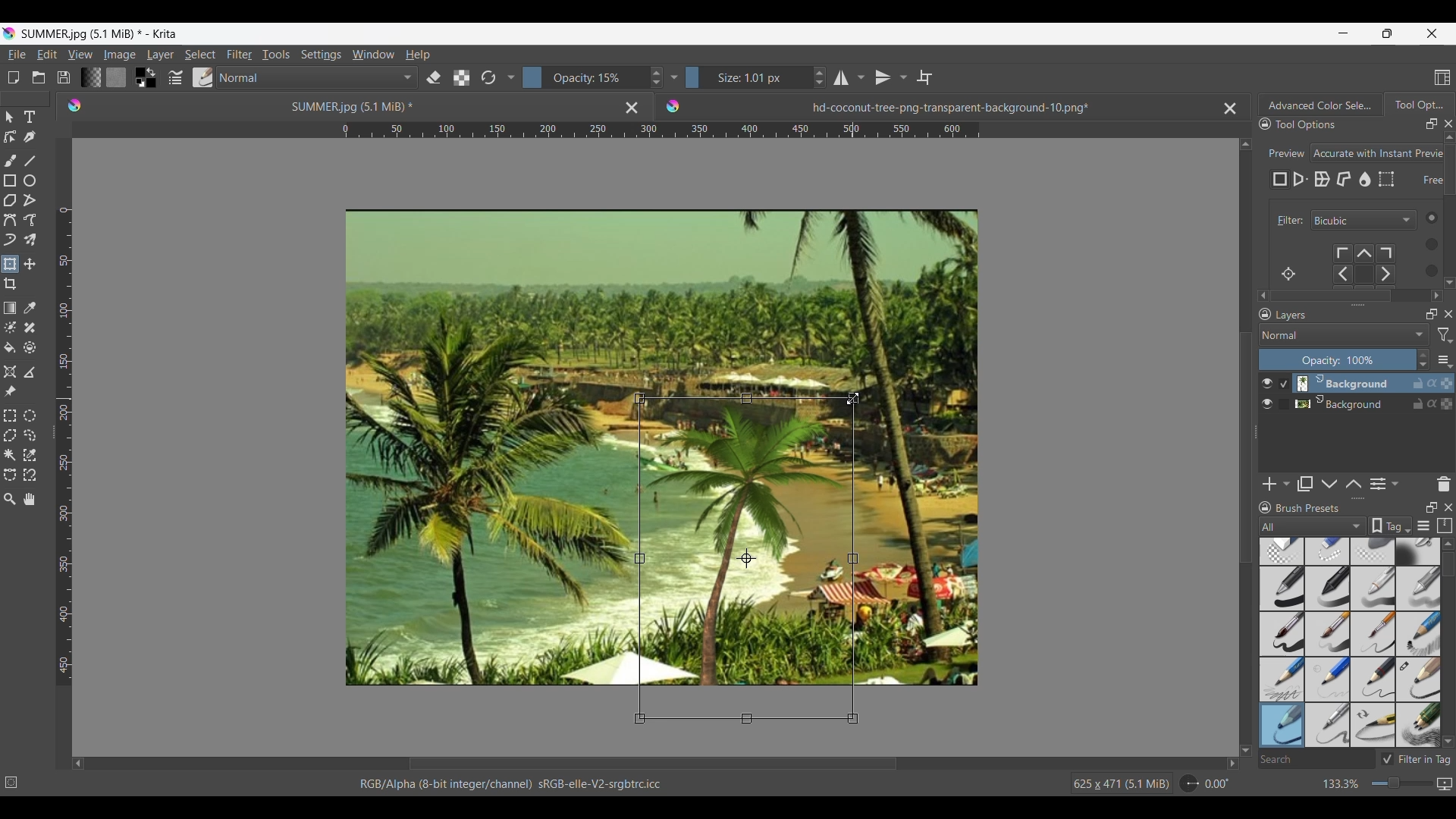 This screenshot has width=1456, height=819. Describe the element at coordinates (1265, 124) in the screenshot. I see `Lock docker inputs` at that location.